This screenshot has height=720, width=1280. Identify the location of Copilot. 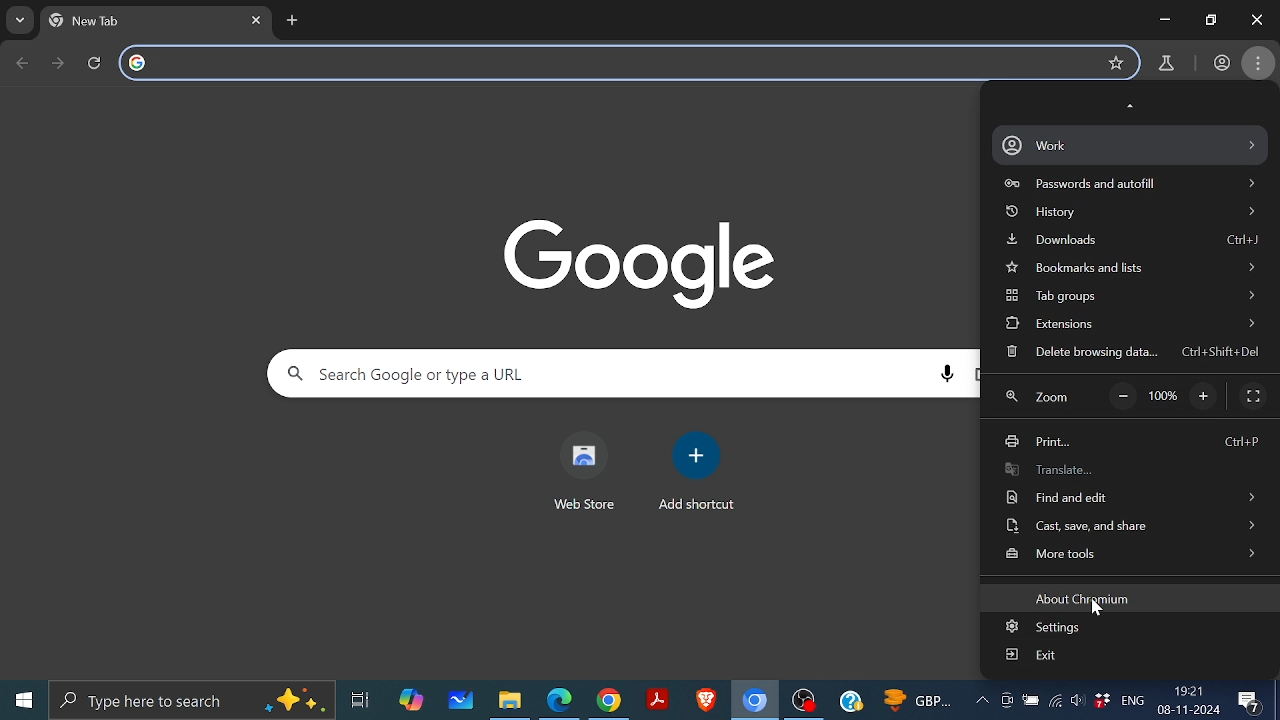
(412, 696).